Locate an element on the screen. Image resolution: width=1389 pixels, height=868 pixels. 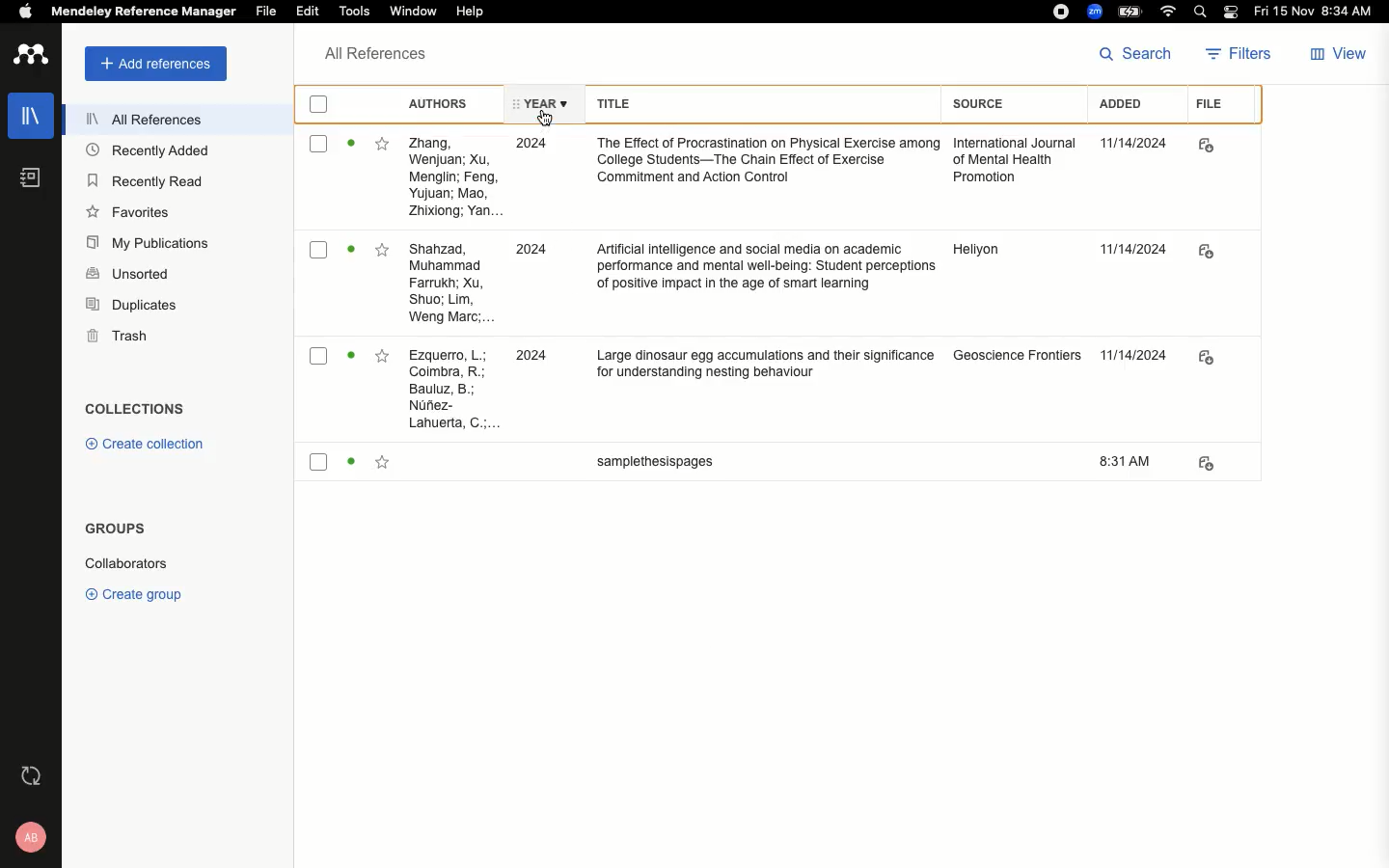
author name is located at coordinates (449, 388).